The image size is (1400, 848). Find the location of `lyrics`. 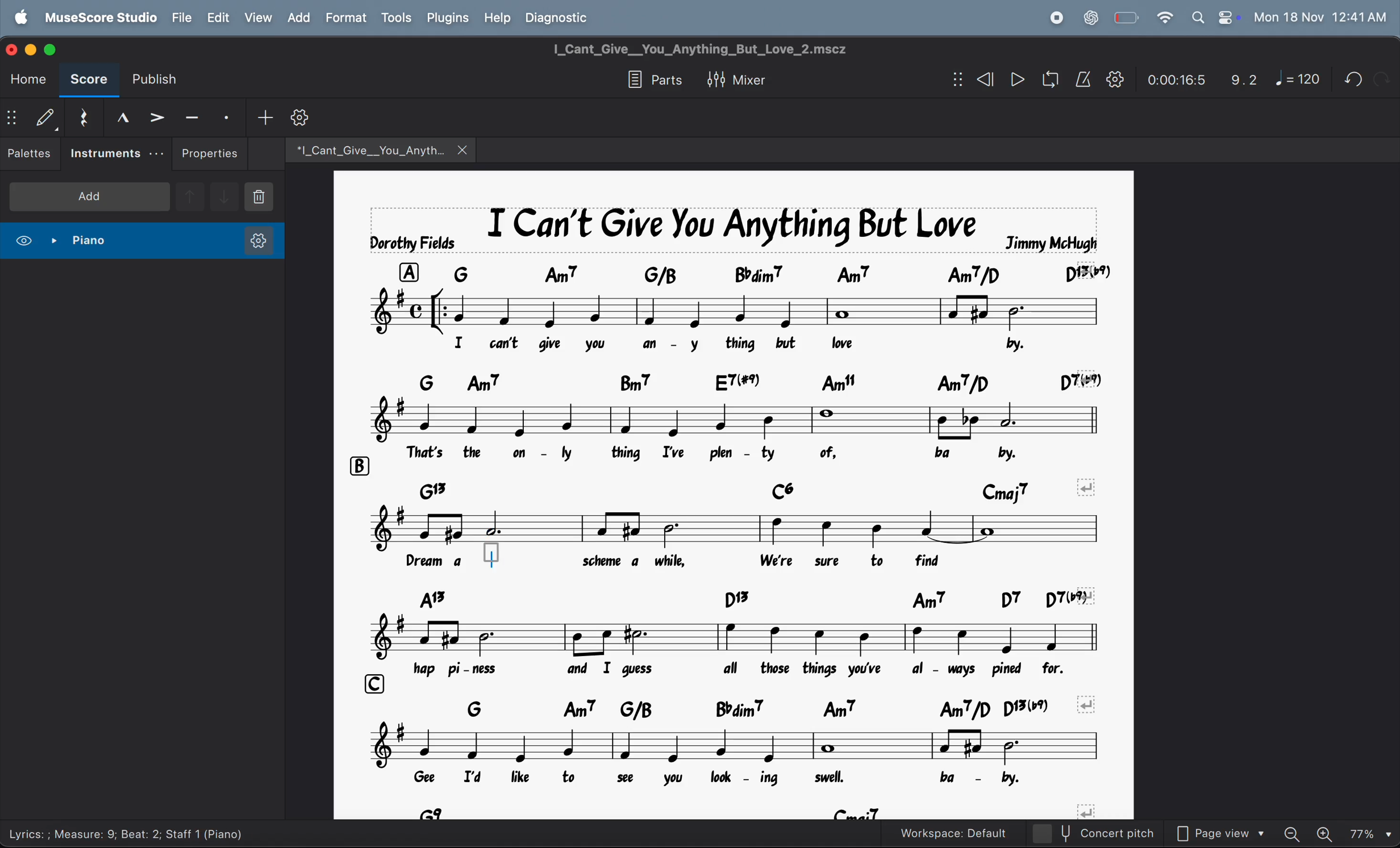

lyrics is located at coordinates (756, 778).